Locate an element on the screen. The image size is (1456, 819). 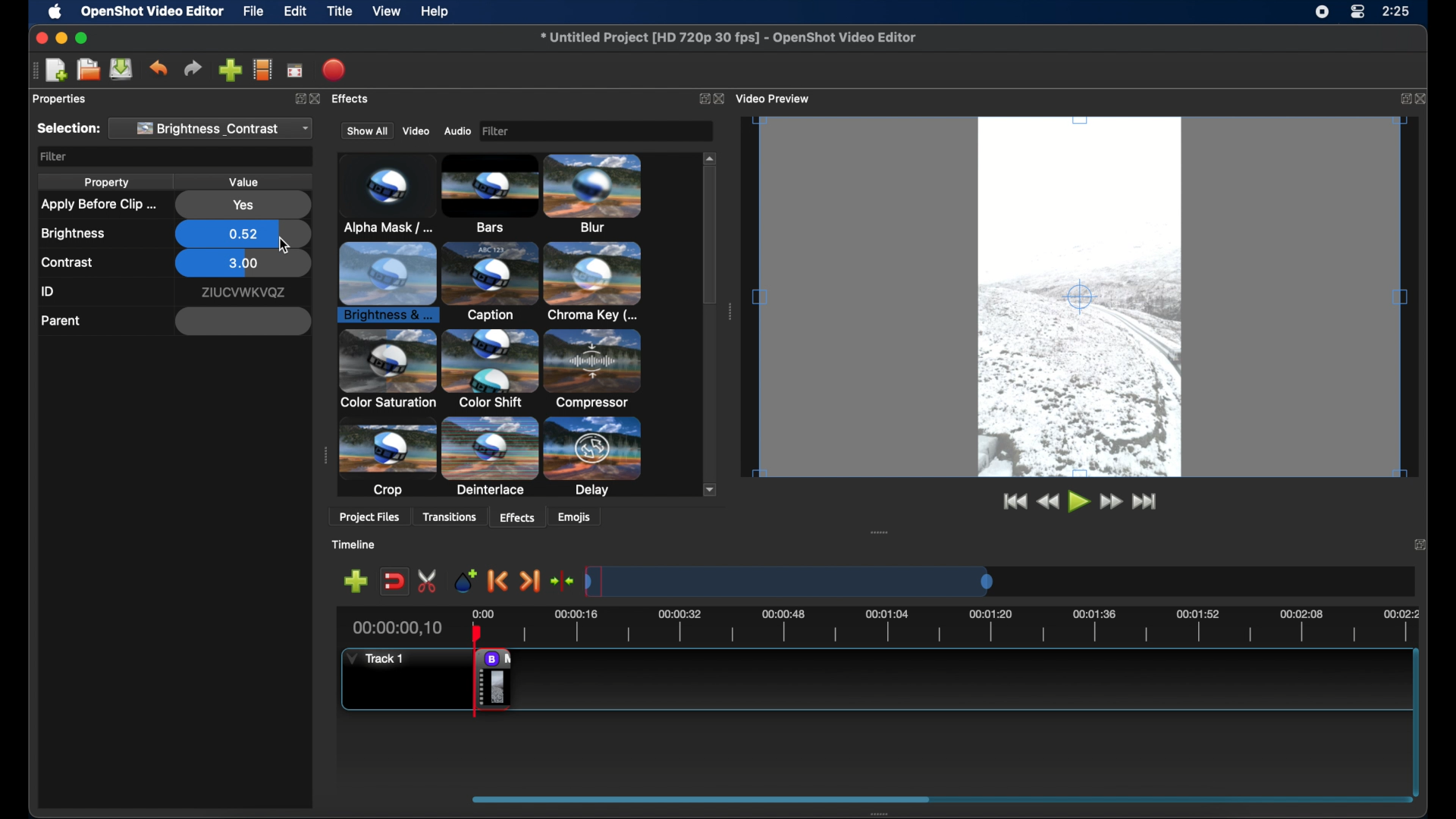
parent is located at coordinates (61, 321).